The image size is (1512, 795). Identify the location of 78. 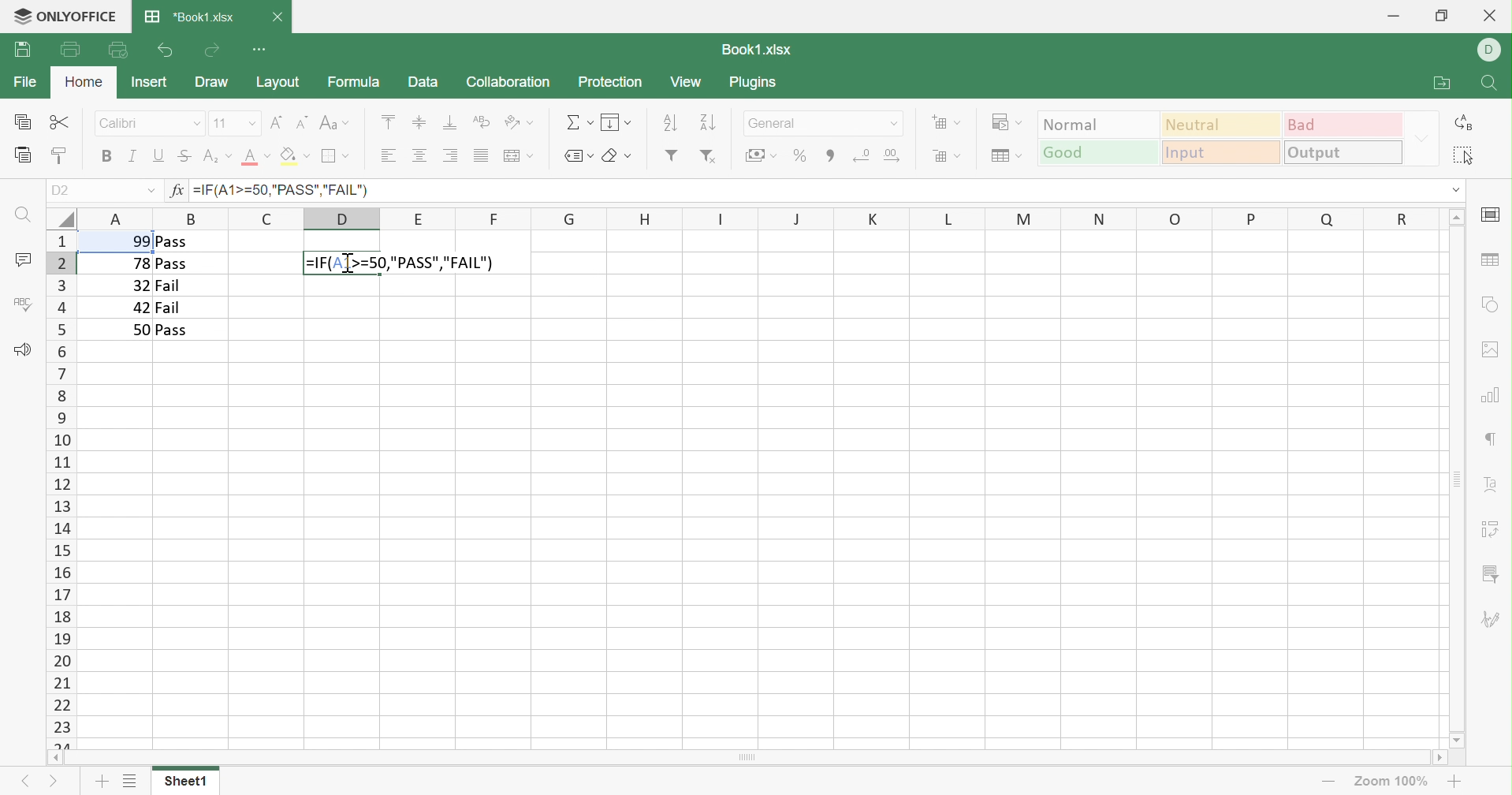
(139, 264).